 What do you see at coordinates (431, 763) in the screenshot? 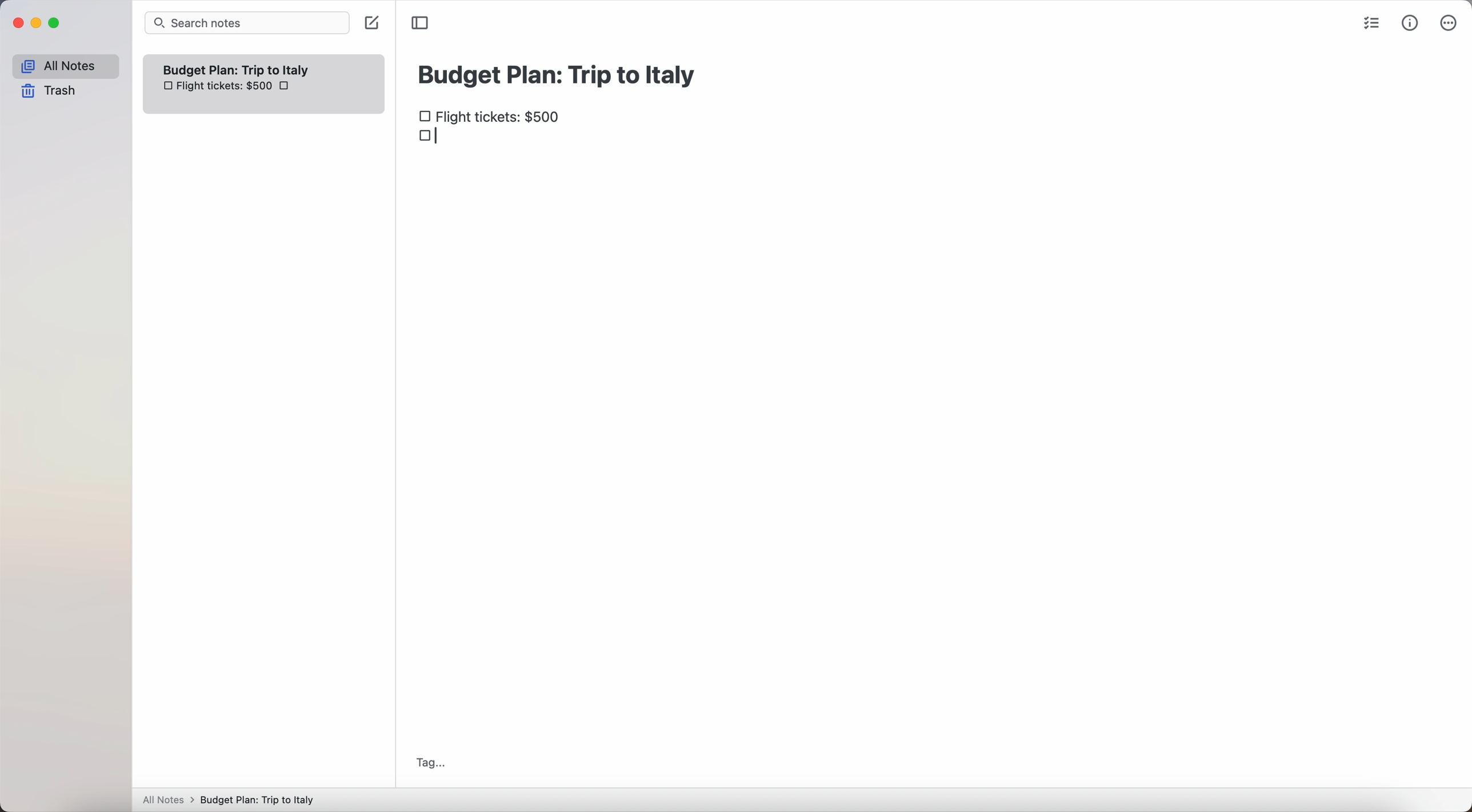
I see `tag` at bounding box center [431, 763].